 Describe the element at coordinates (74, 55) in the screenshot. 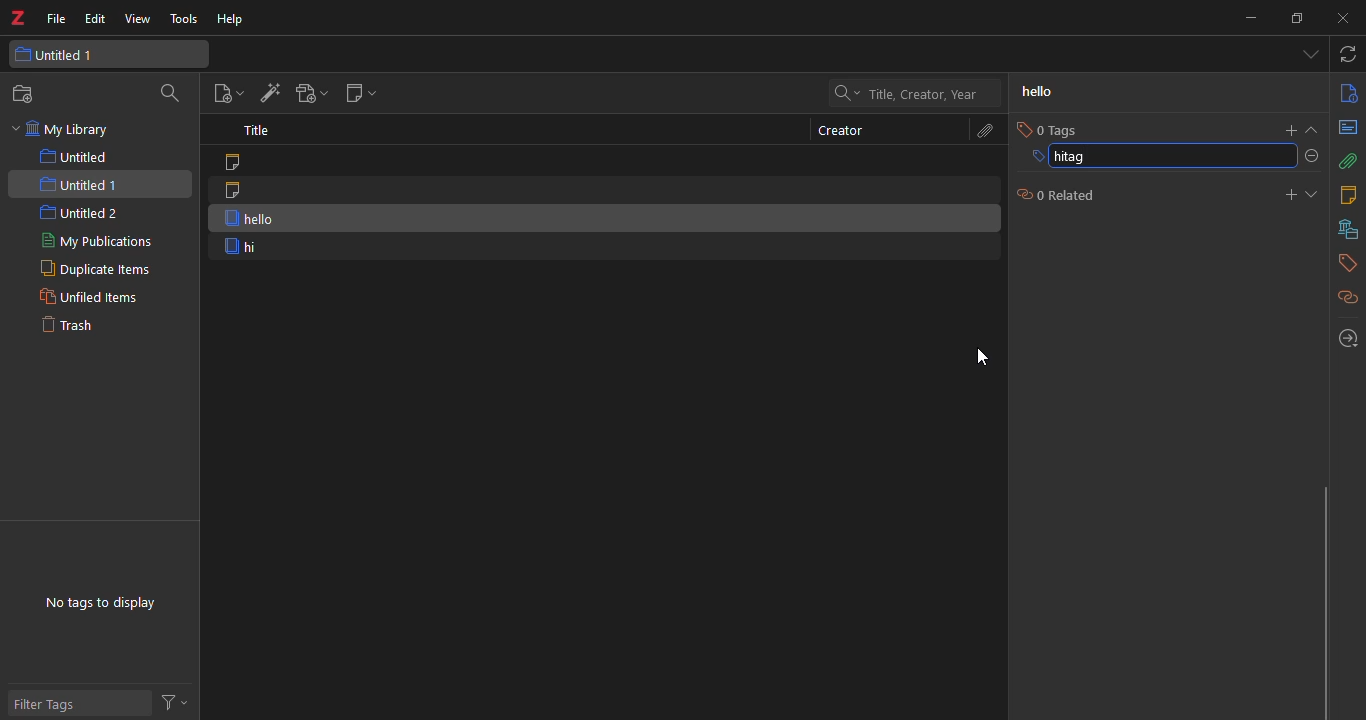

I see `untitled 1` at that location.